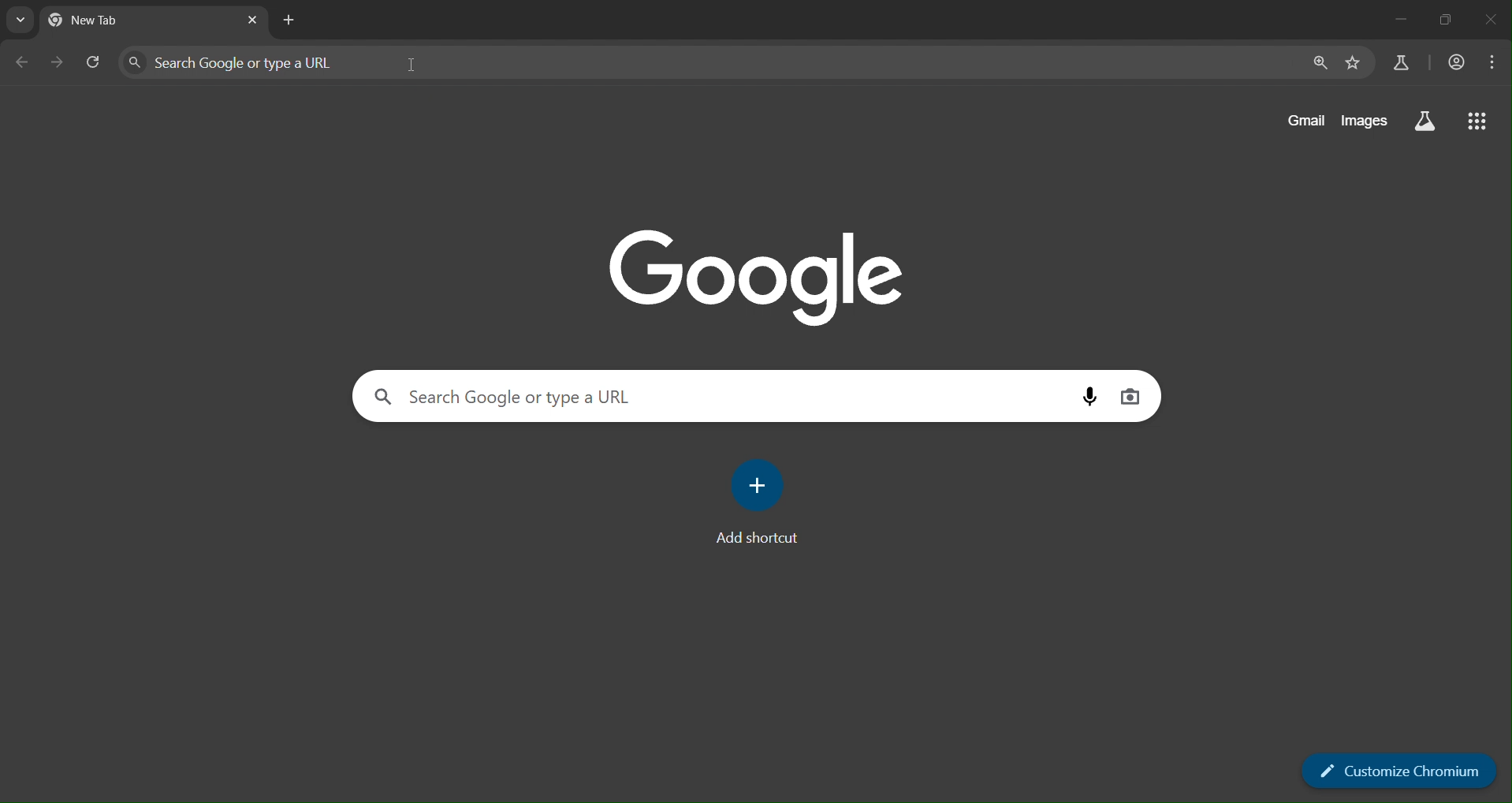 The image size is (1512, 803). I want to click on search labs, so click(1425, 123).